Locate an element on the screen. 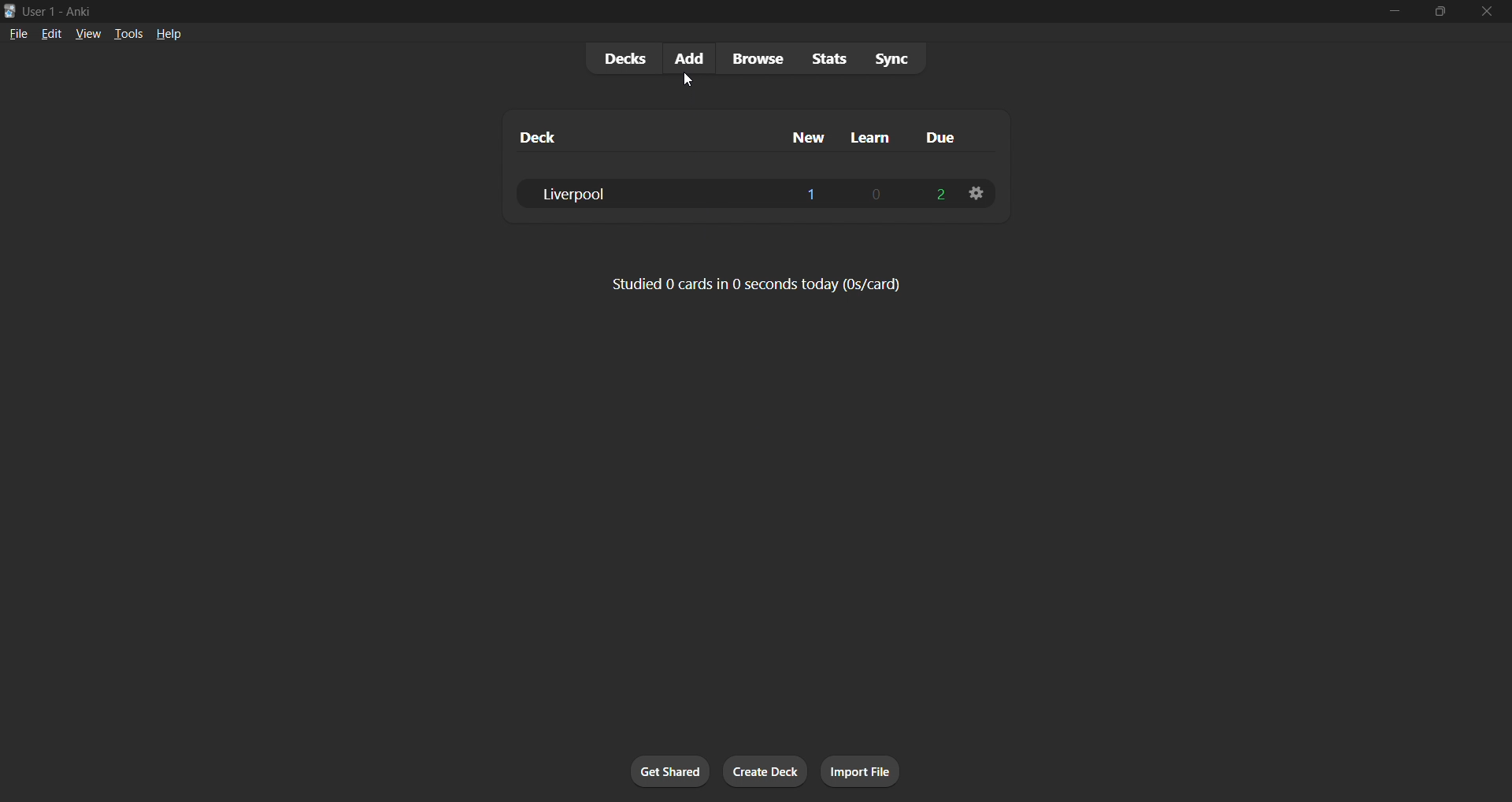 This screenshot has width=1512, height=802. view is located at coordinates (86, 35).